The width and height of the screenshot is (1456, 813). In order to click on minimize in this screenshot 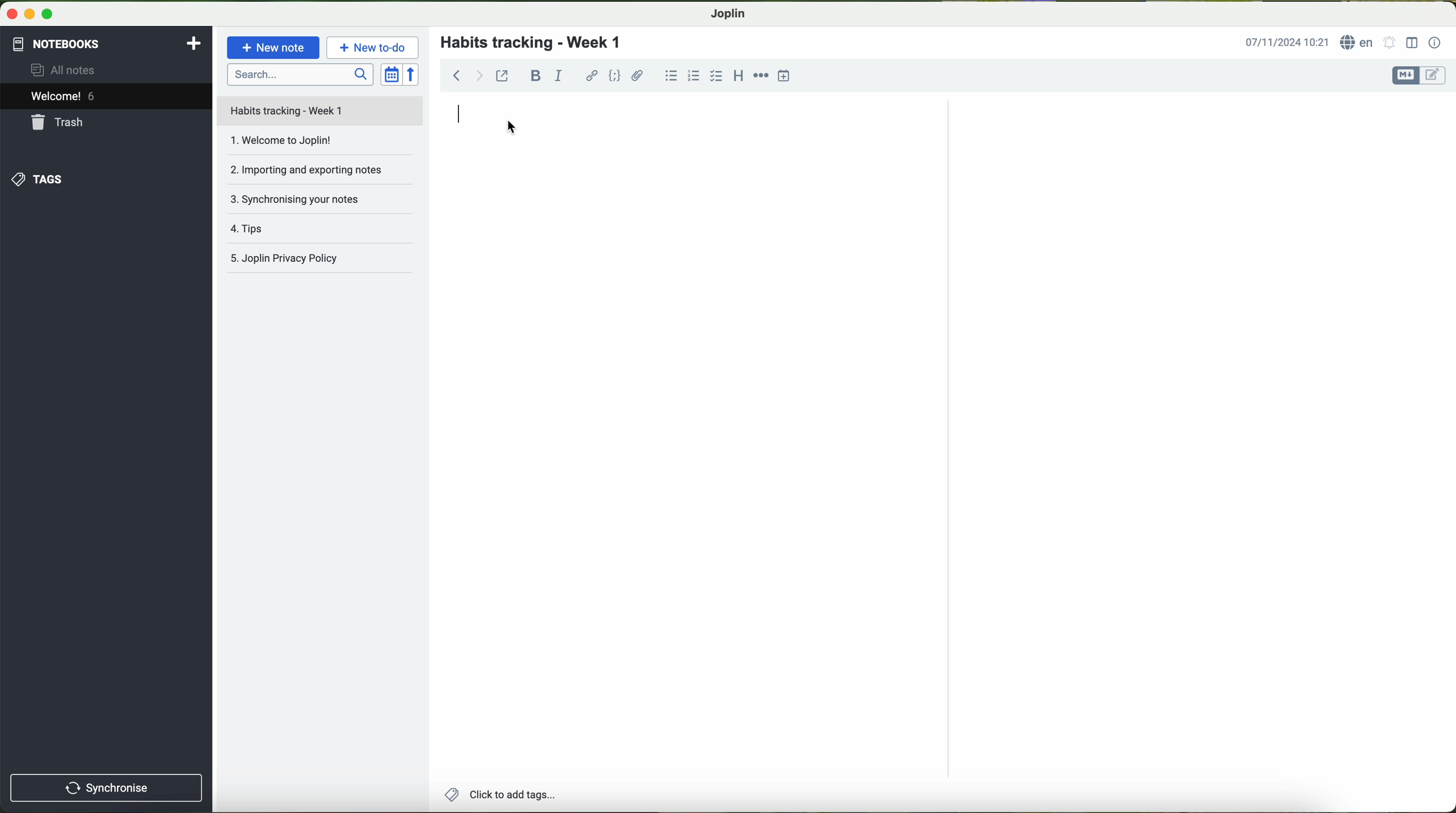, I will do `click(27, 13)`.